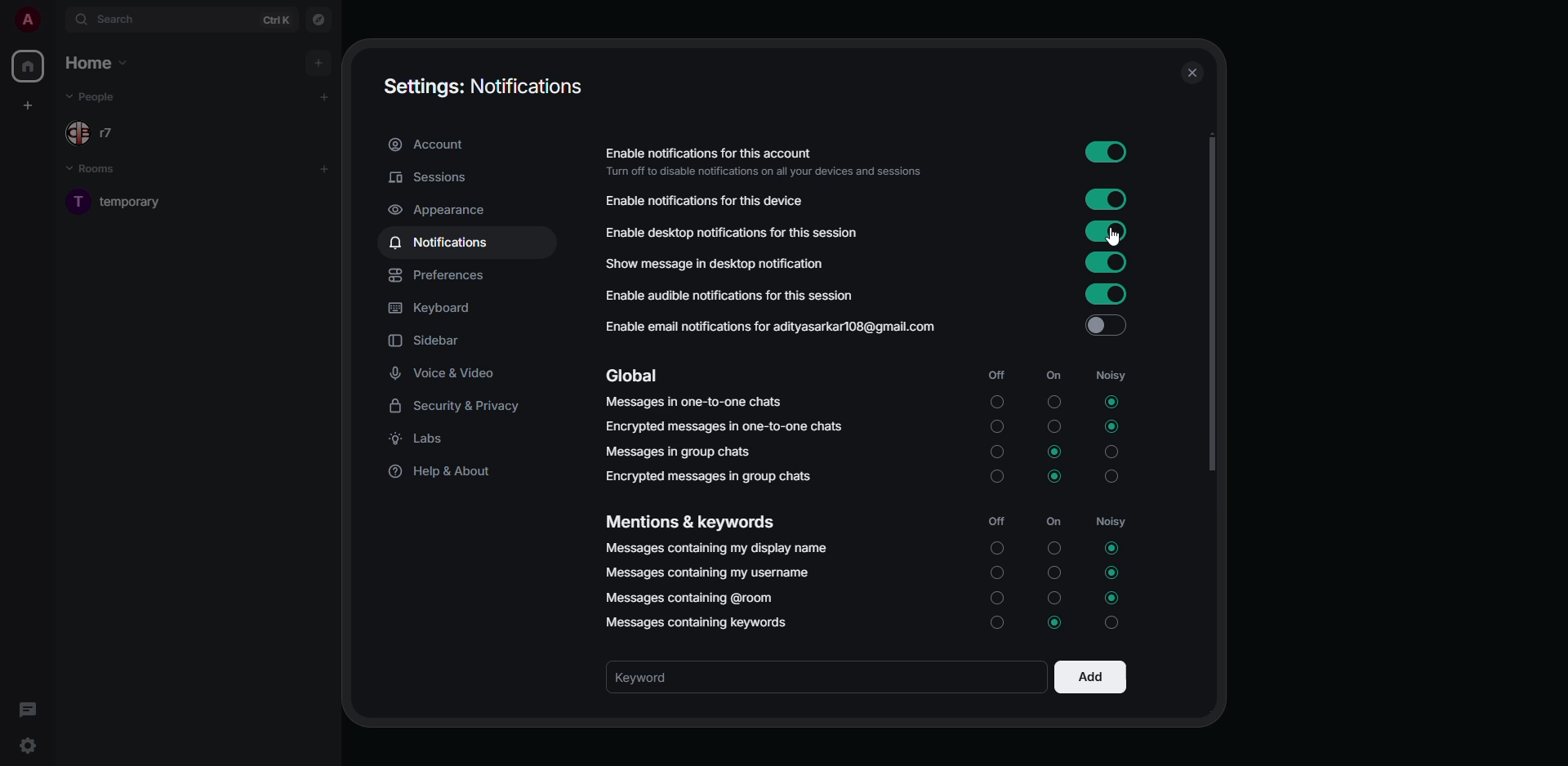 This screenshot has height=766, width=1568. What do you see at coordinates (1111, 427) in the screenshot?
I see `selected` at bounding box center [1111, 427].